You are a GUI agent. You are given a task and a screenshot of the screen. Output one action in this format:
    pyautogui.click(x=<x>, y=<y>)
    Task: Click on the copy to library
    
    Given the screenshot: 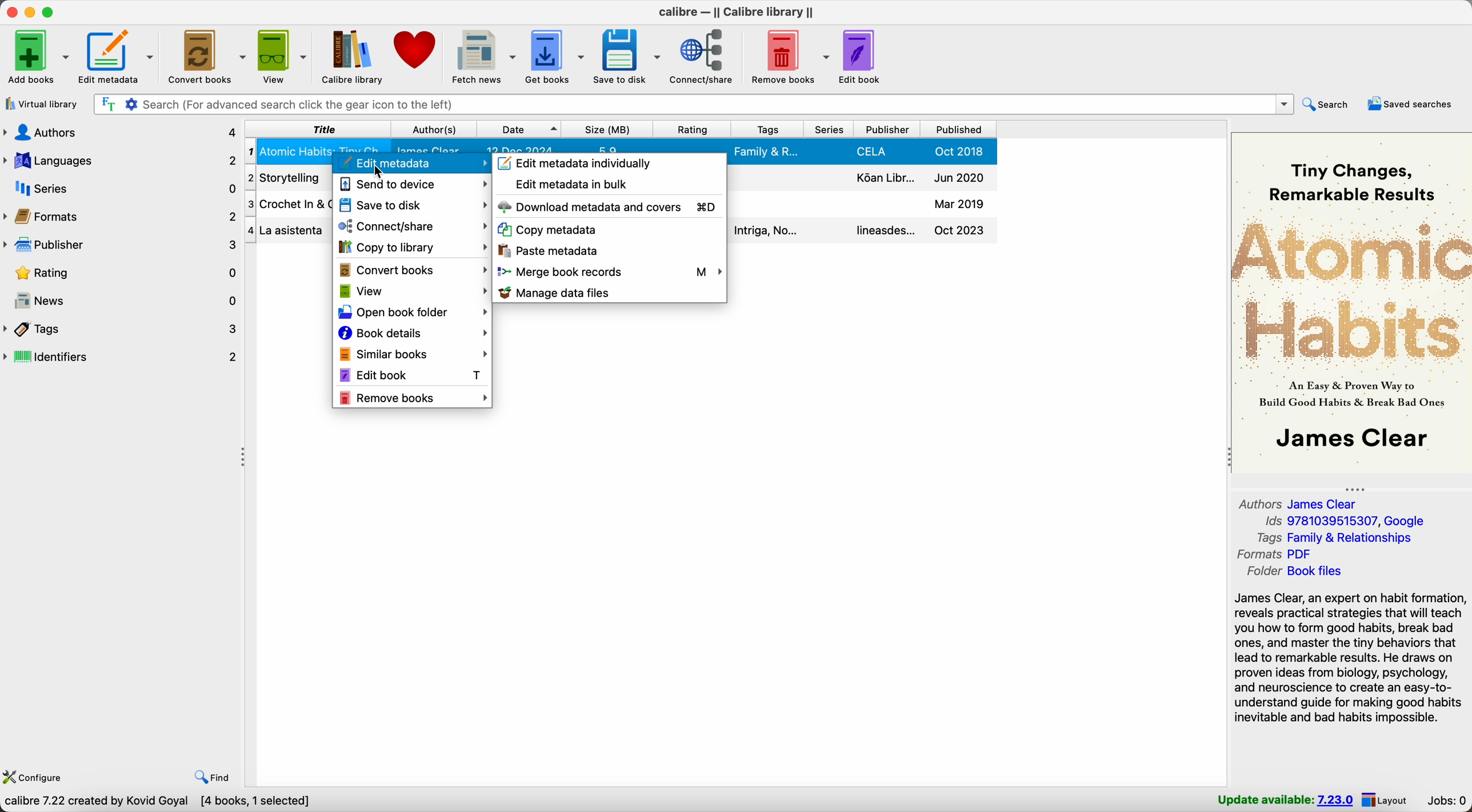 What is the action you would take?
    pyautogui.click(x=411, y=247)
    